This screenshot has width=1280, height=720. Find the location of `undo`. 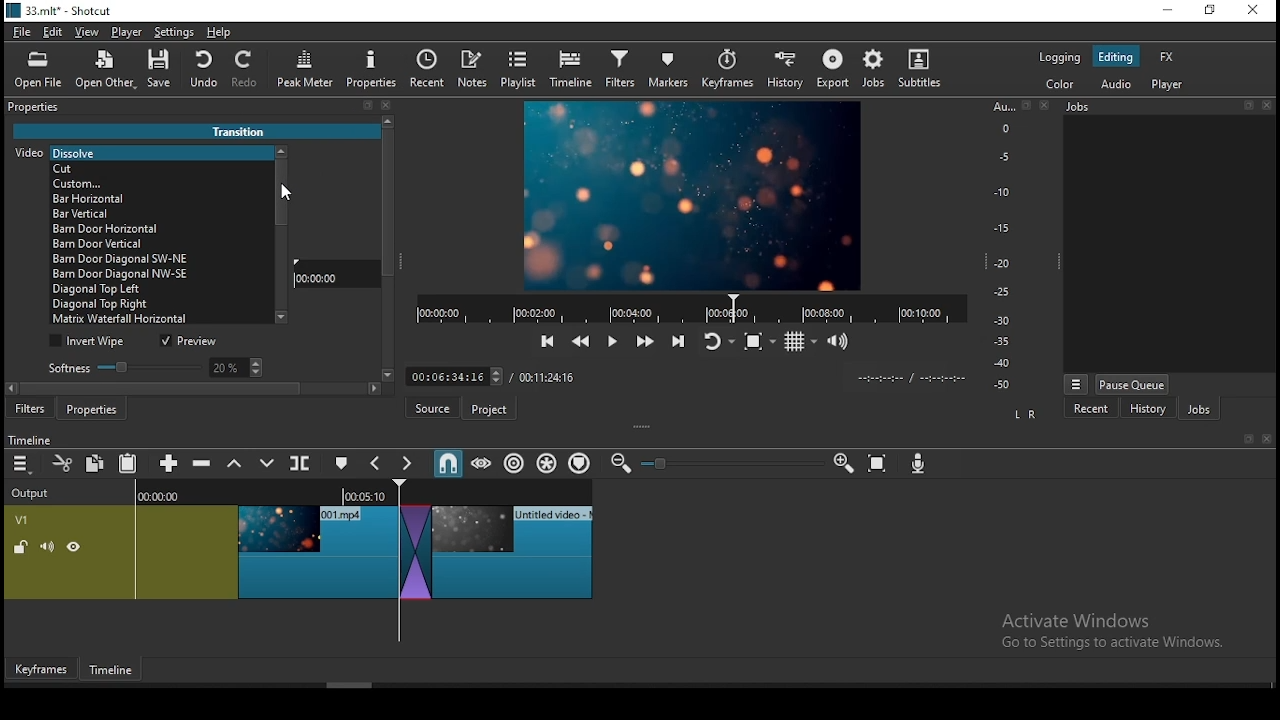

undo is located at coordinates (205, 70).